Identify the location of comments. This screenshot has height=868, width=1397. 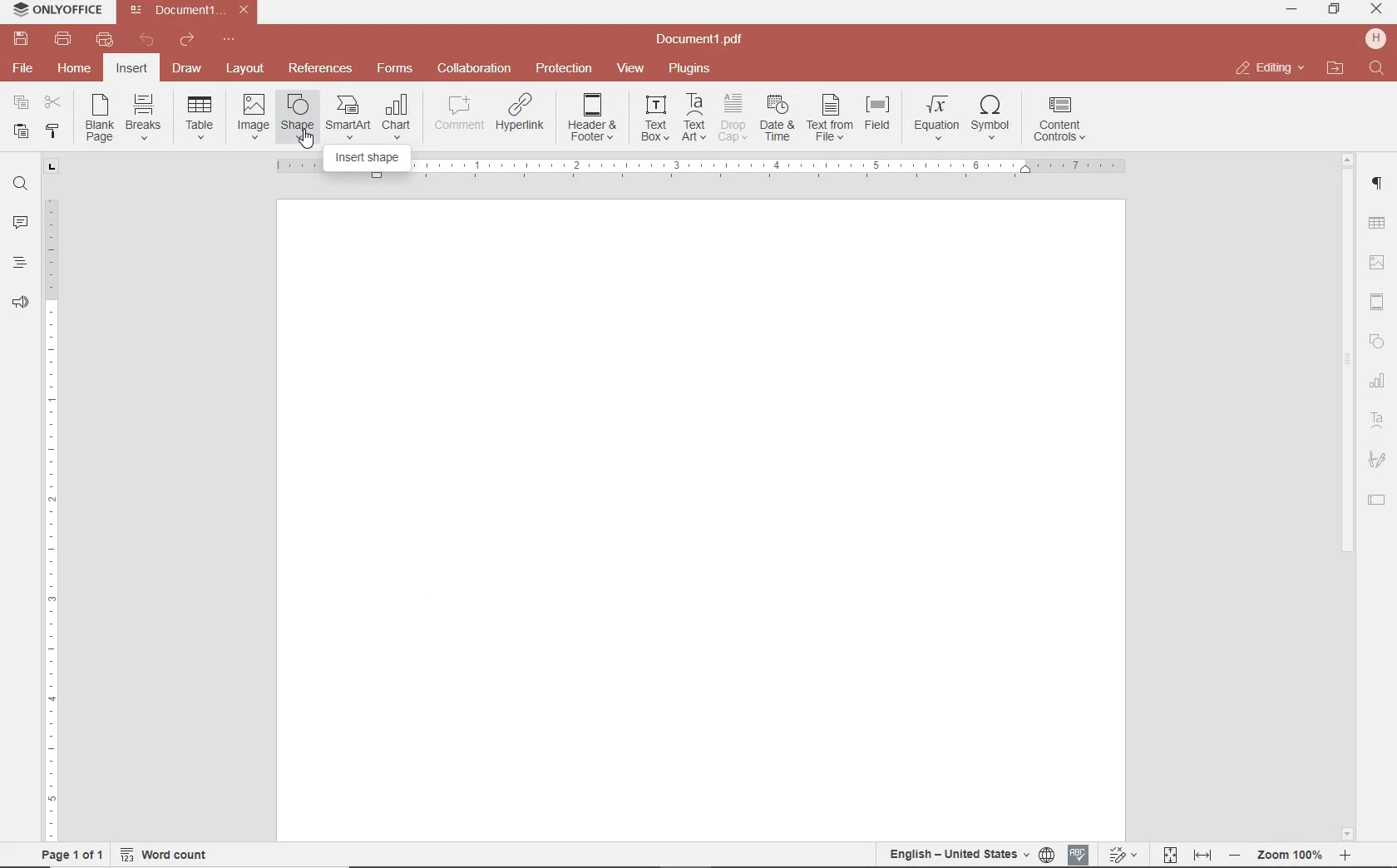
(20, 224).